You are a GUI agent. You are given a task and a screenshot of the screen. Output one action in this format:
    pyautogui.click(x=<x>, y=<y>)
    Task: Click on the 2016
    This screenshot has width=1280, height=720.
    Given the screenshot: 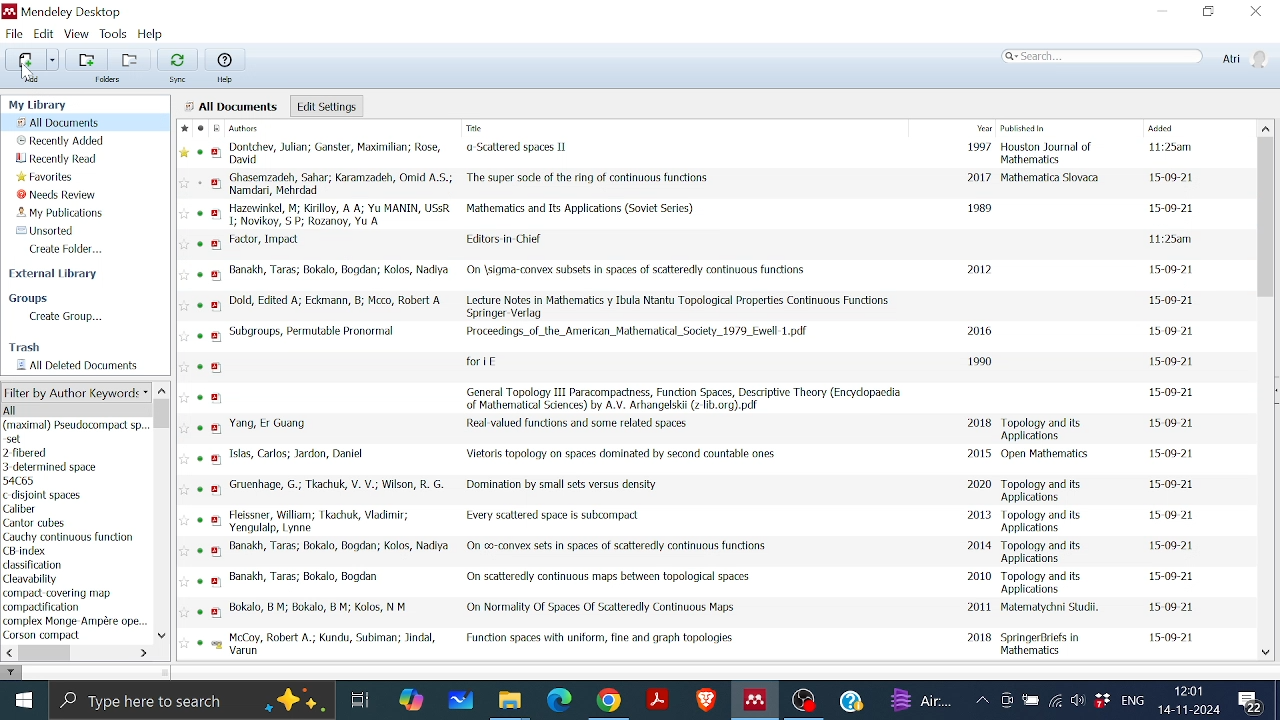 What is the action you would take?
    pyautogui.click(x=982, y=331)
    